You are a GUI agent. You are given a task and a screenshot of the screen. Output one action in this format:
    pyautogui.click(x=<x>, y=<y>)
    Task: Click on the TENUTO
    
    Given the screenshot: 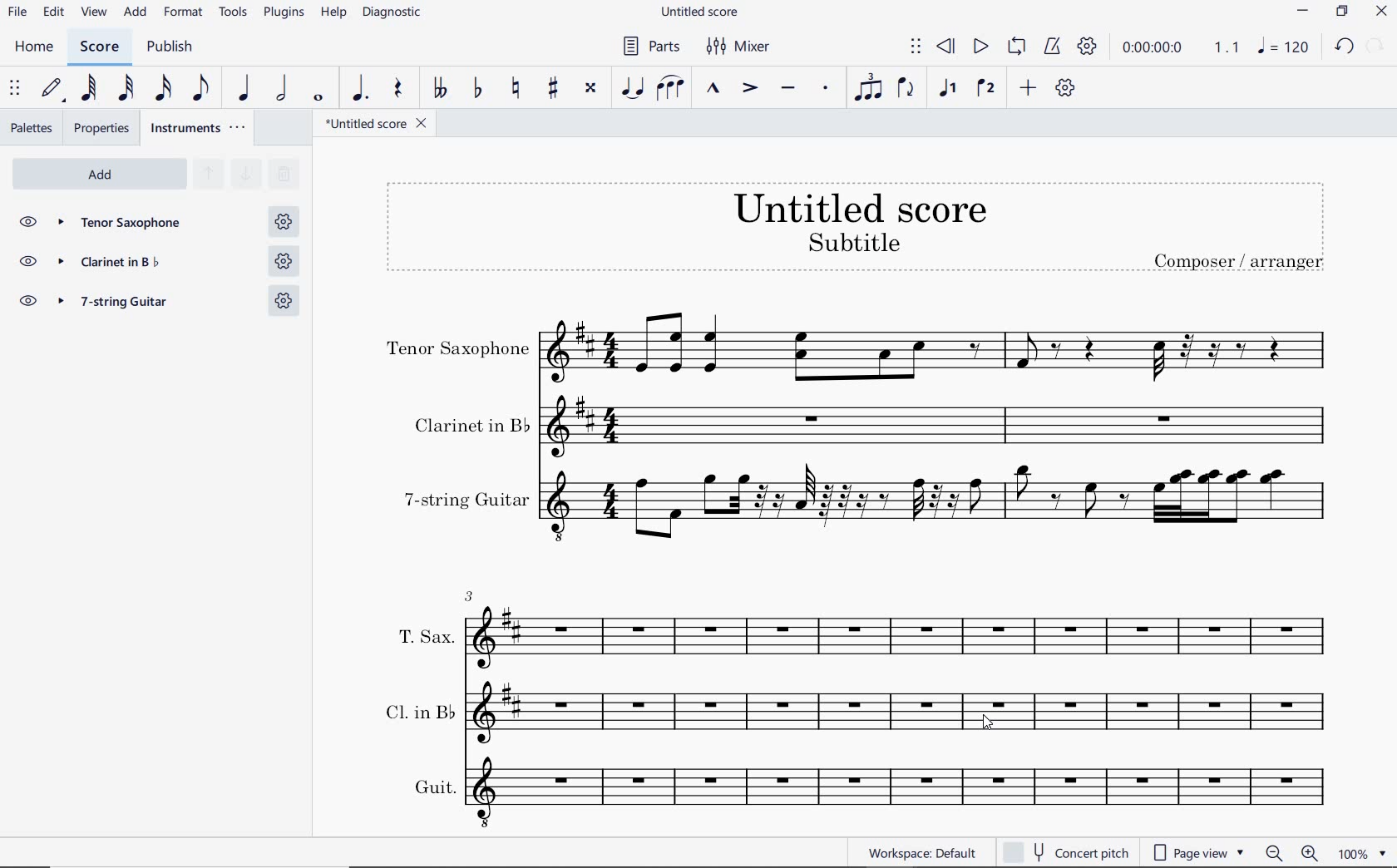 What is the action you would take?
    pyautogui.click(x=787, y=91)
    